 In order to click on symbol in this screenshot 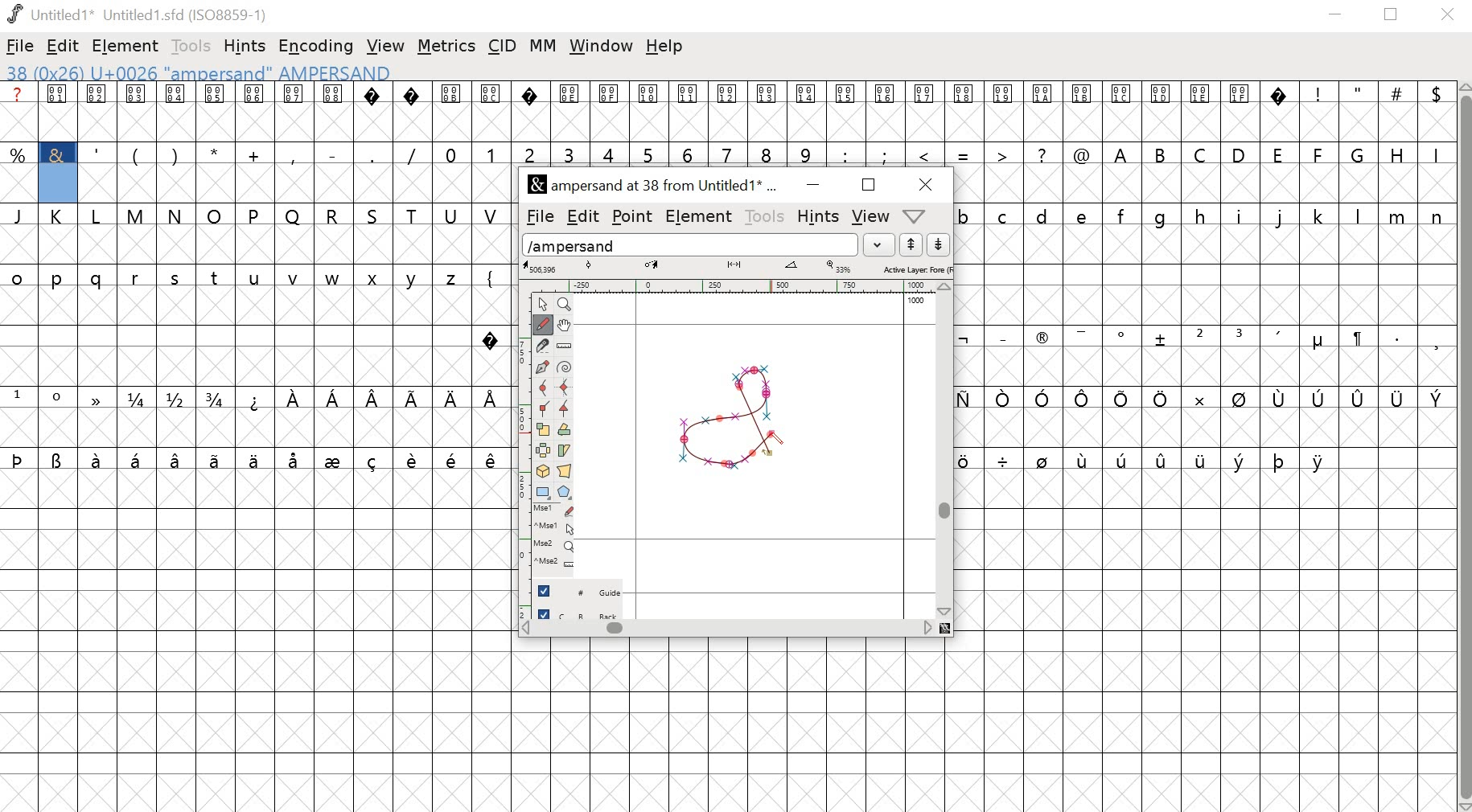, I will do `click(58, 459)`.